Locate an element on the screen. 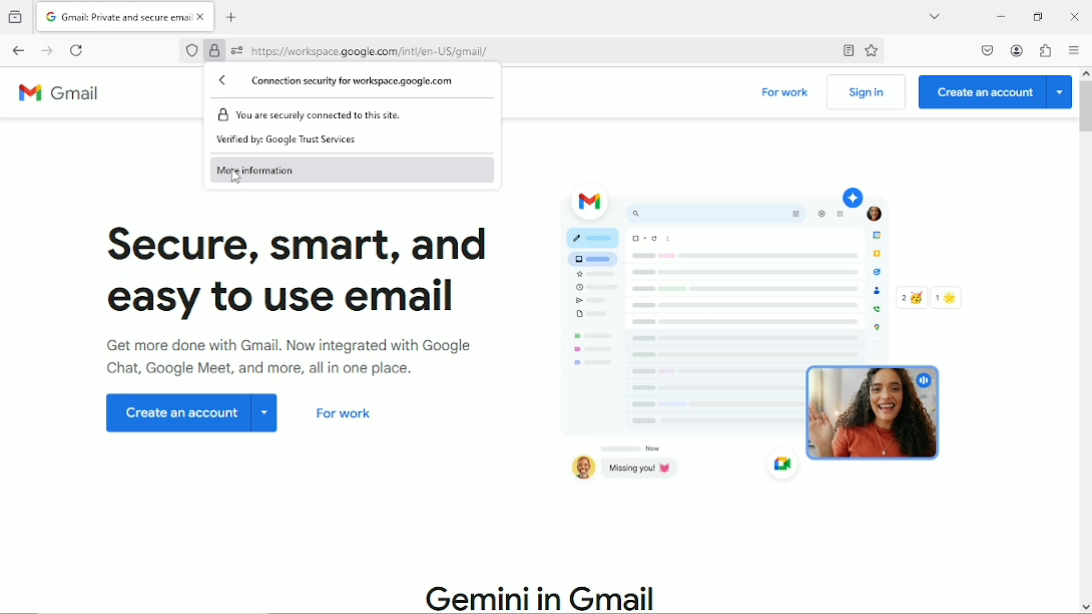  List all tabs is located at coordinates (931, 15).